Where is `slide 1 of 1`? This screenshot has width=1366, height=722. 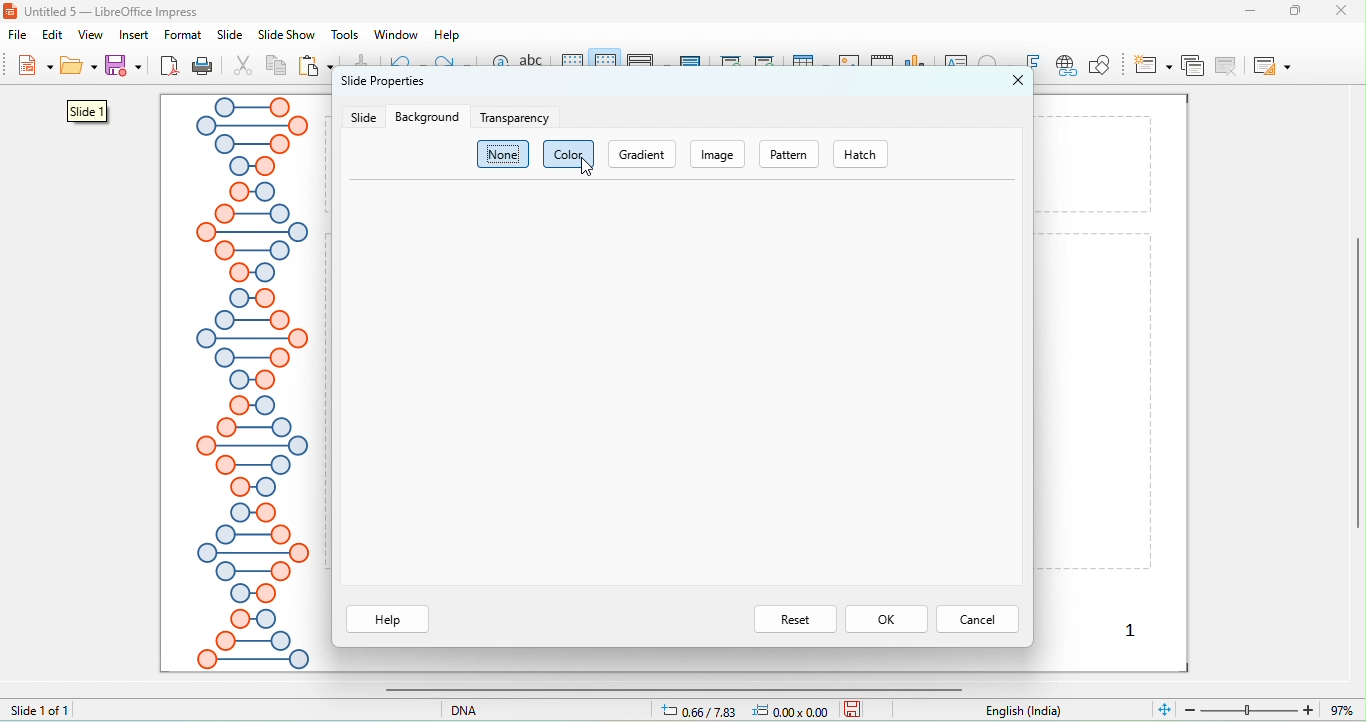
slide 1 of 1 is located at coordinates (40, 709).